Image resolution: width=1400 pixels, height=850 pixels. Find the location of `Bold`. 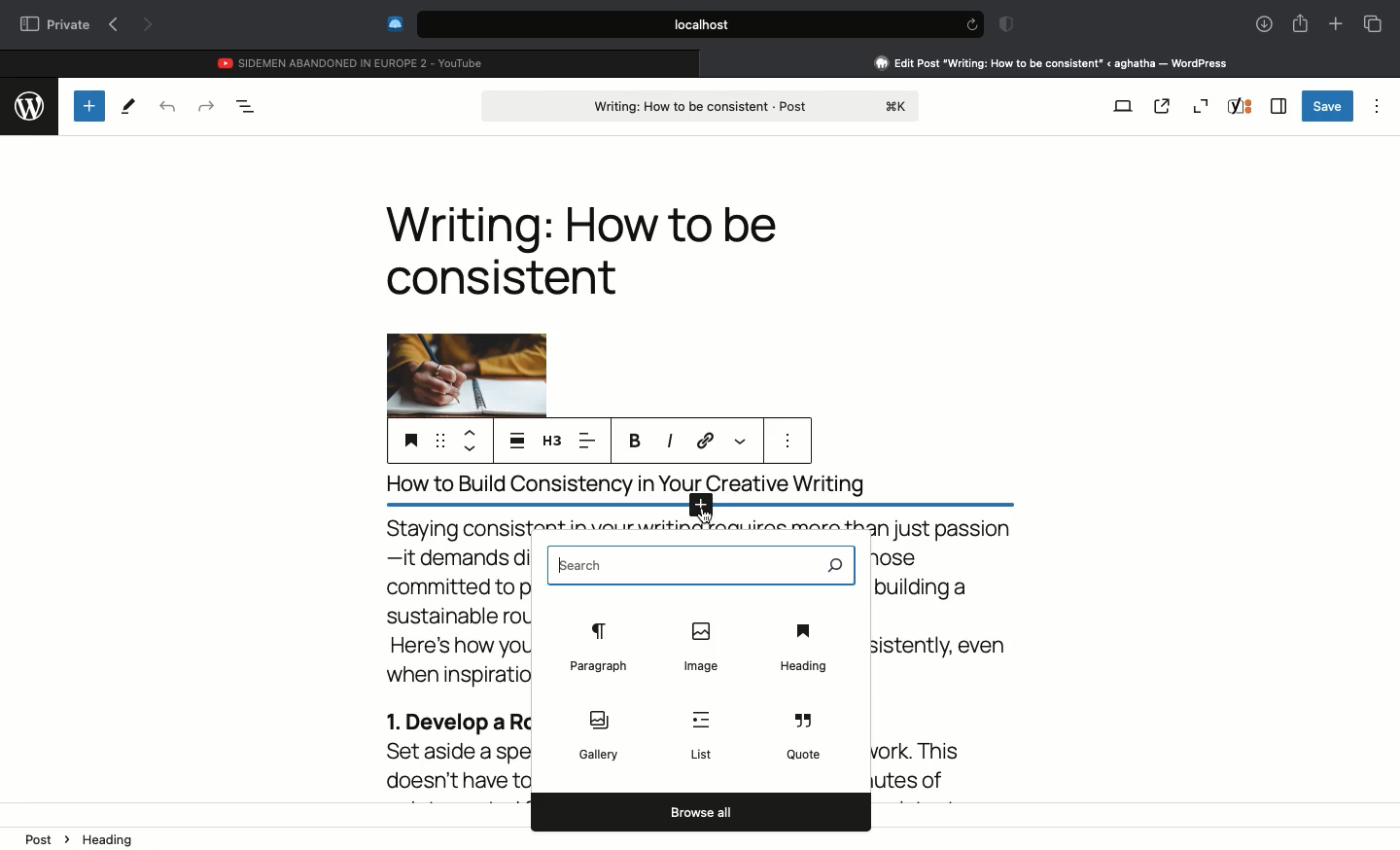

Bold is located at coordinates (636, 441).